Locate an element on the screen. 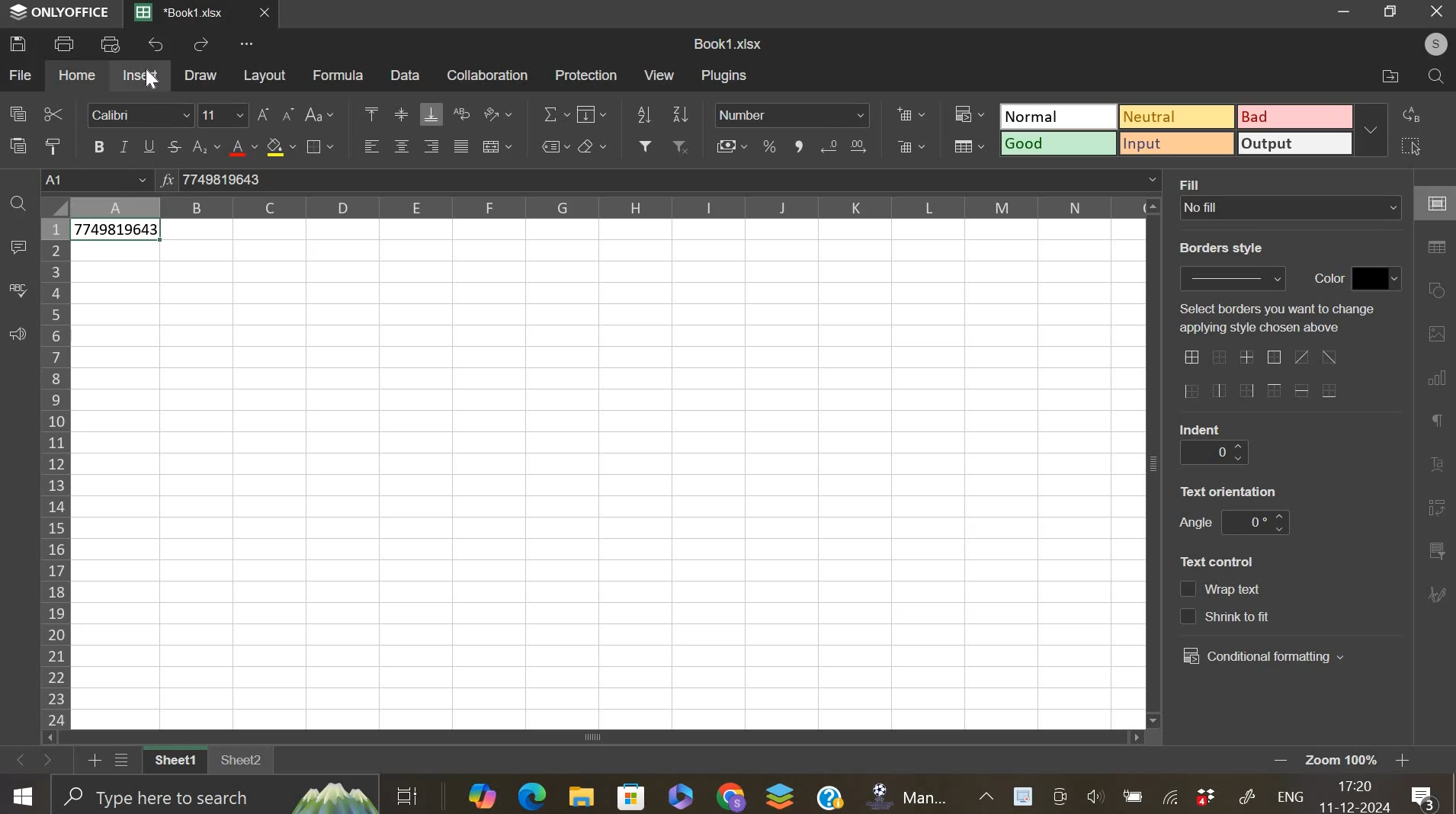 The width and height of the screenshot is (1456, 814). row is located at coordinates (54, 473).